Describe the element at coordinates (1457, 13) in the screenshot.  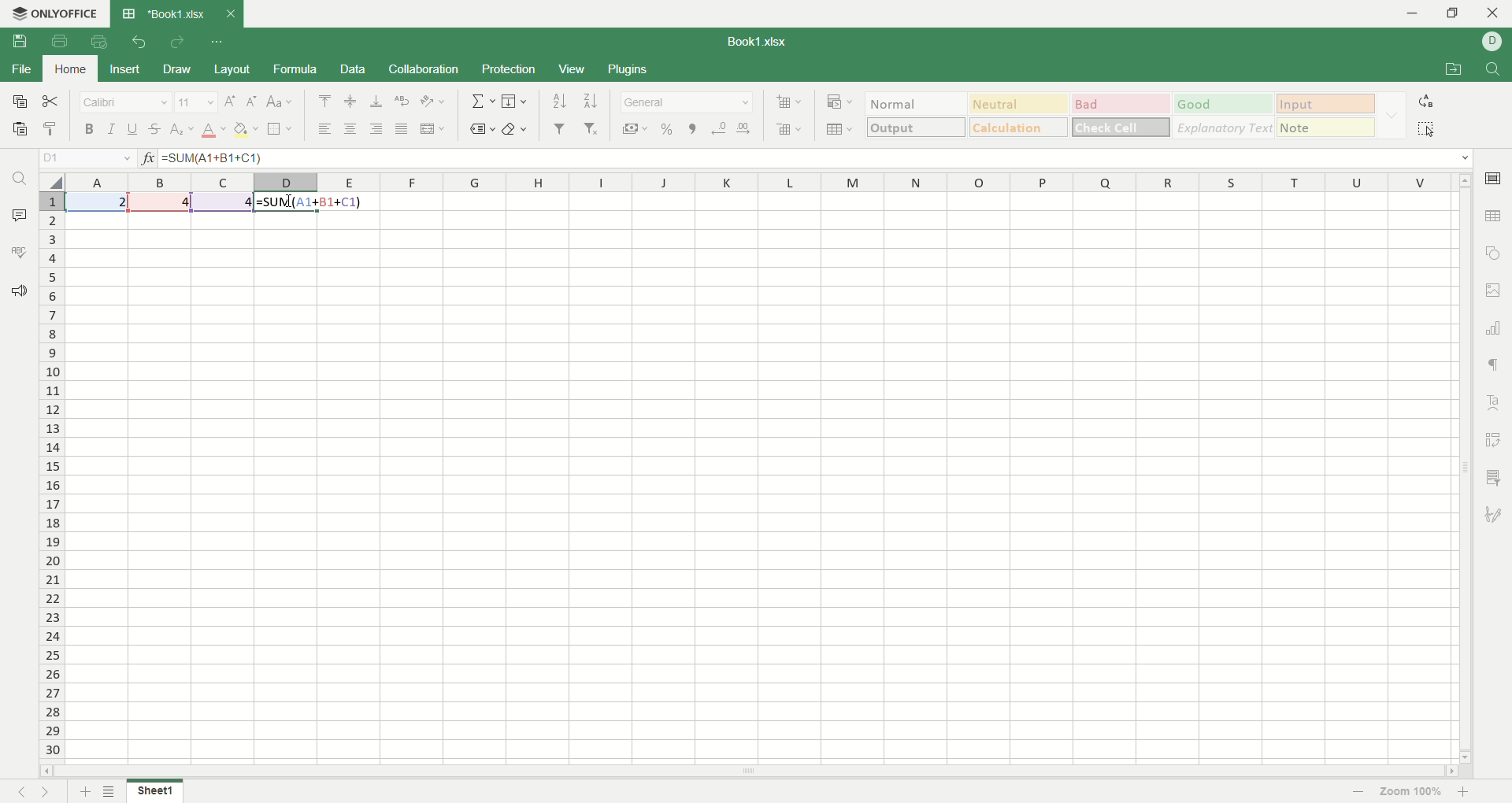
I see `maximize` at that location.